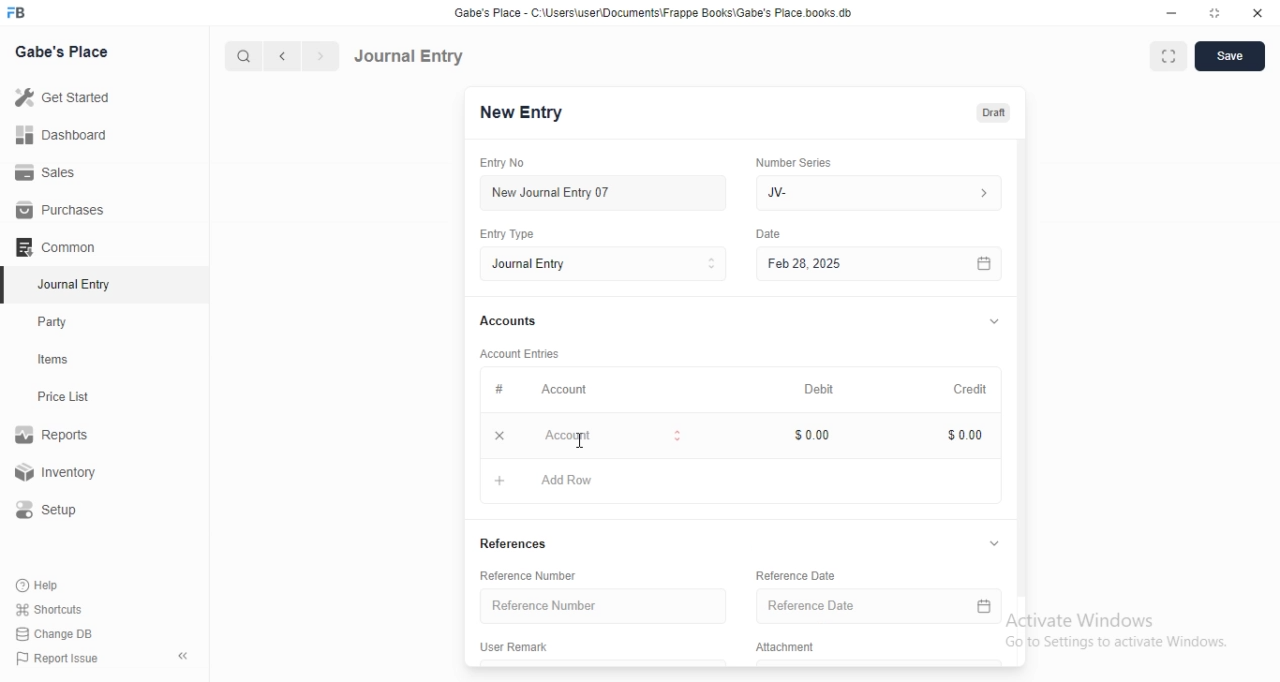 The width and height of the screenshot is (1280, 682). I want to click on forward, so click(322, 56).